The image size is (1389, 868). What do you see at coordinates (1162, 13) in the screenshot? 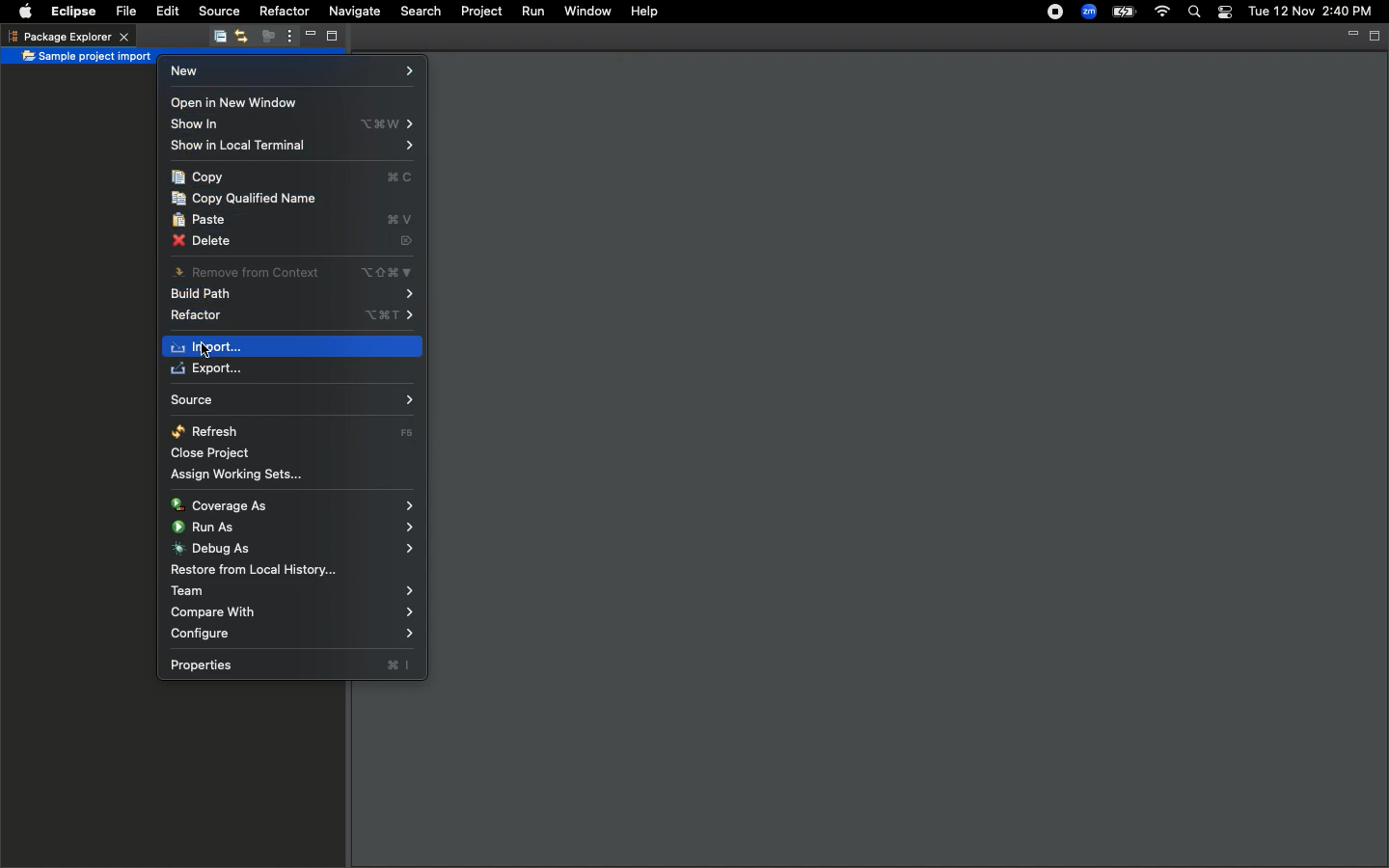
I see `Internet` at bounding box center [1162, 13].